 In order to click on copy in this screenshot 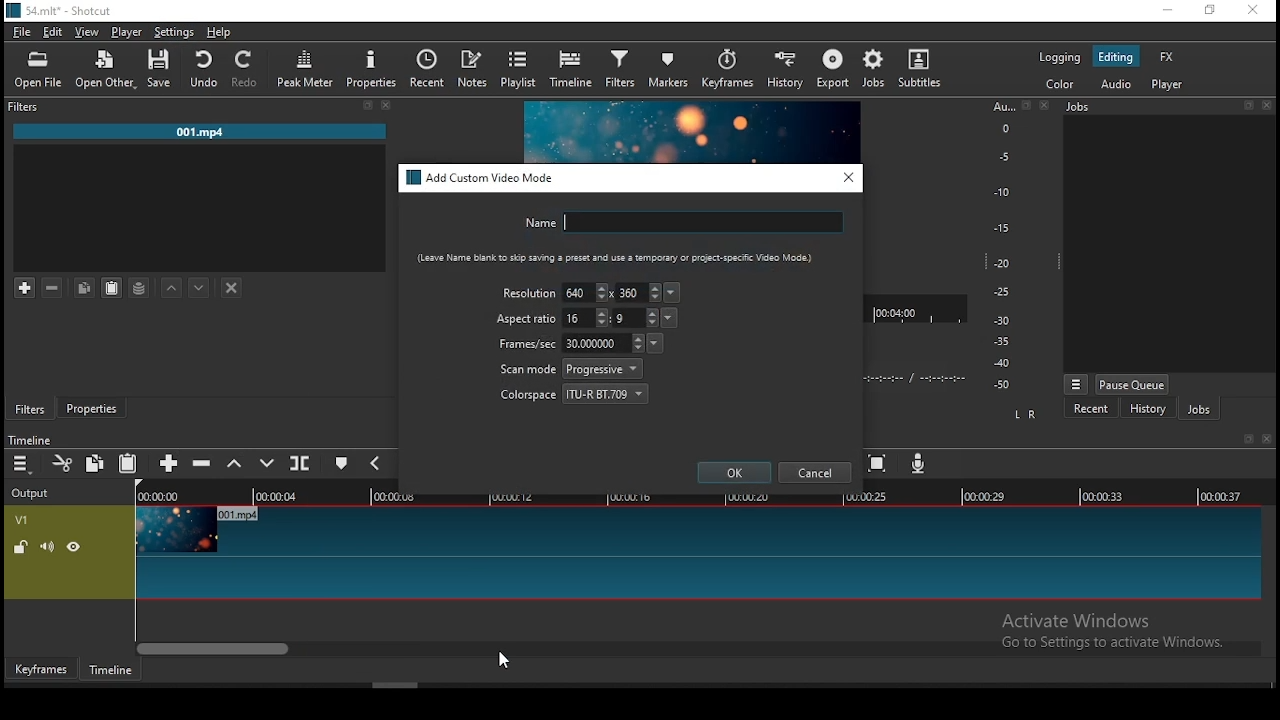, I will do `click(84, 287)`.